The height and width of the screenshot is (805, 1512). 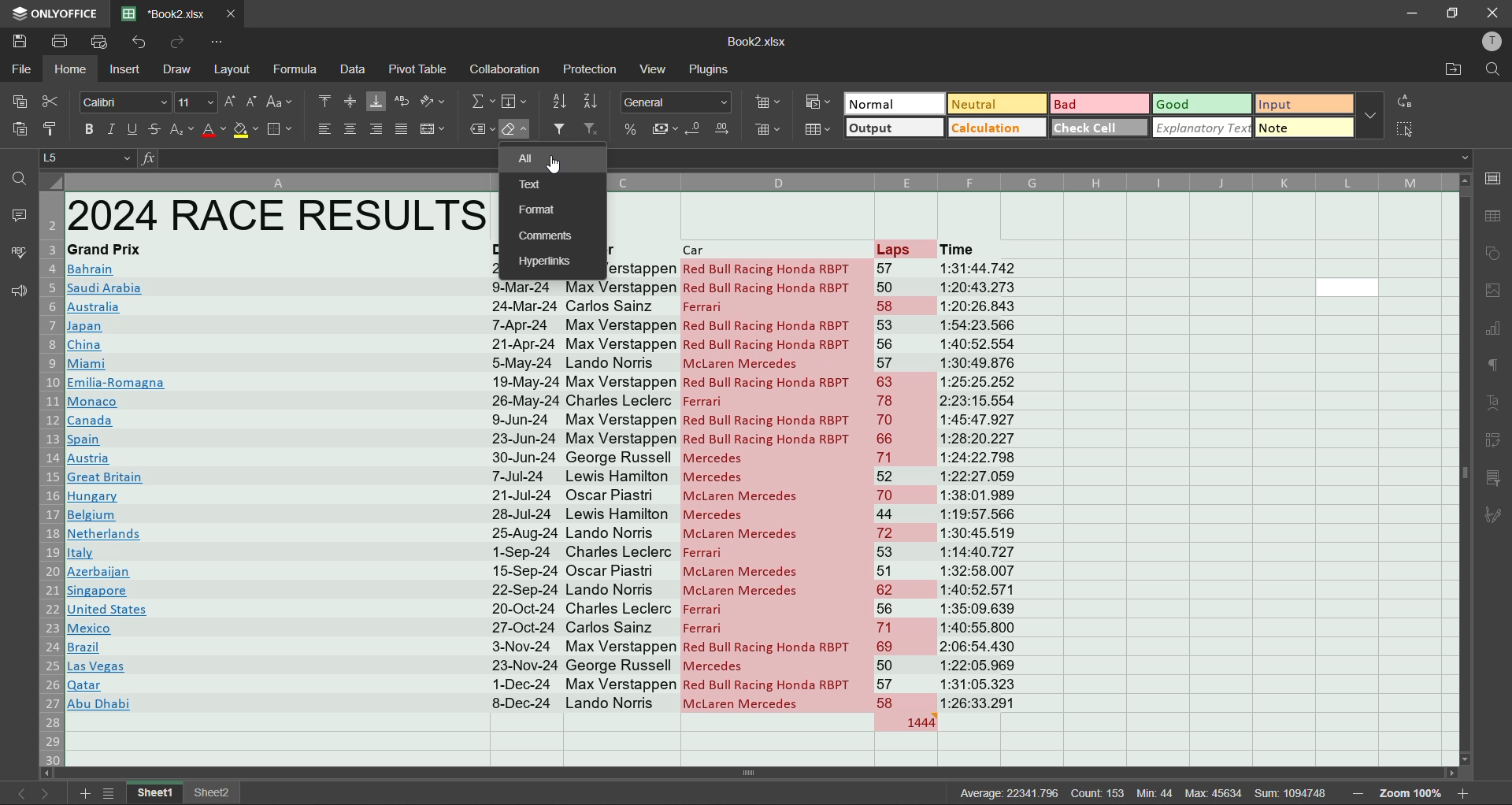 I want to click on previous, so click(x=16, y=793).